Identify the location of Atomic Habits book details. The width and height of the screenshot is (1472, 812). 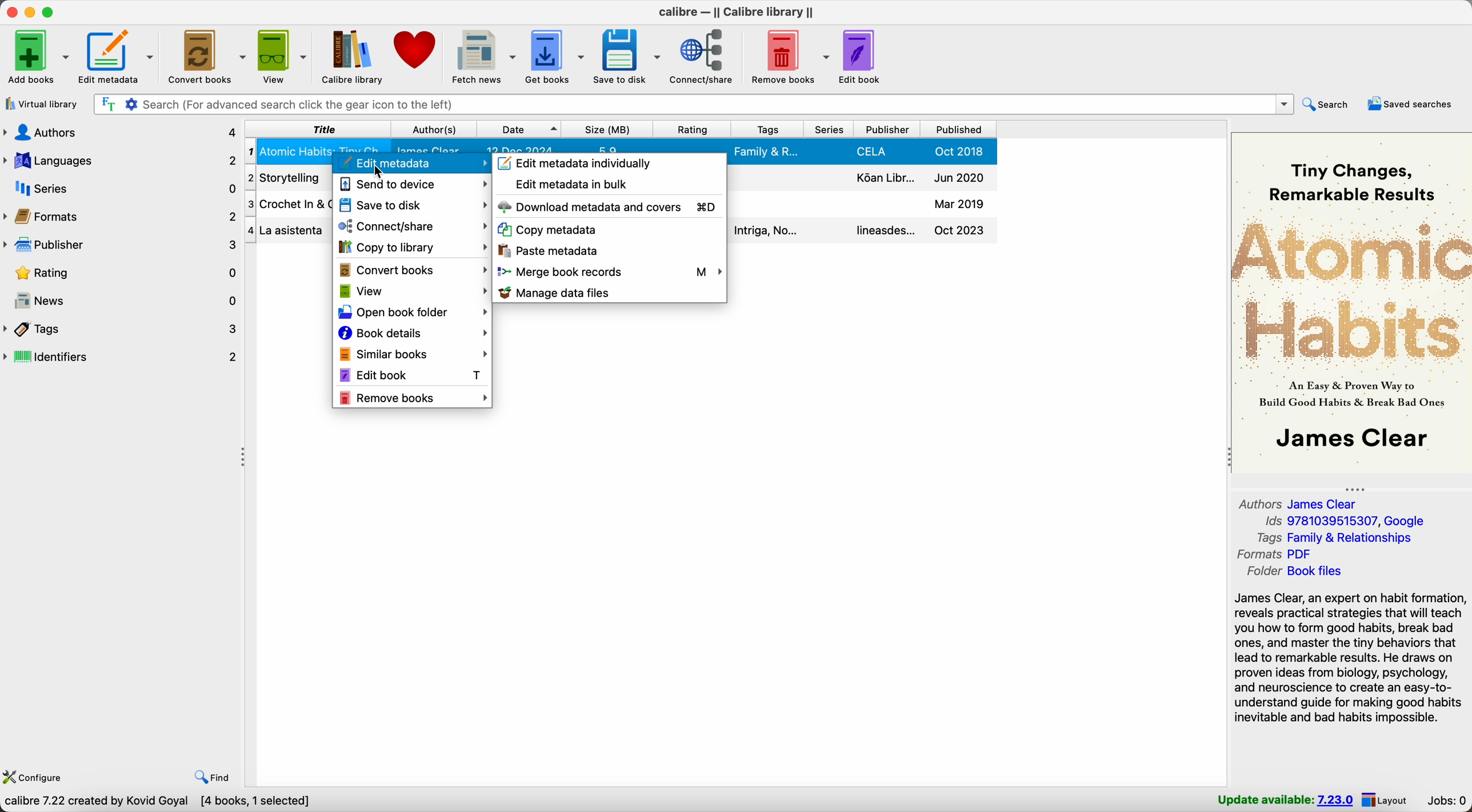
(617, 146).